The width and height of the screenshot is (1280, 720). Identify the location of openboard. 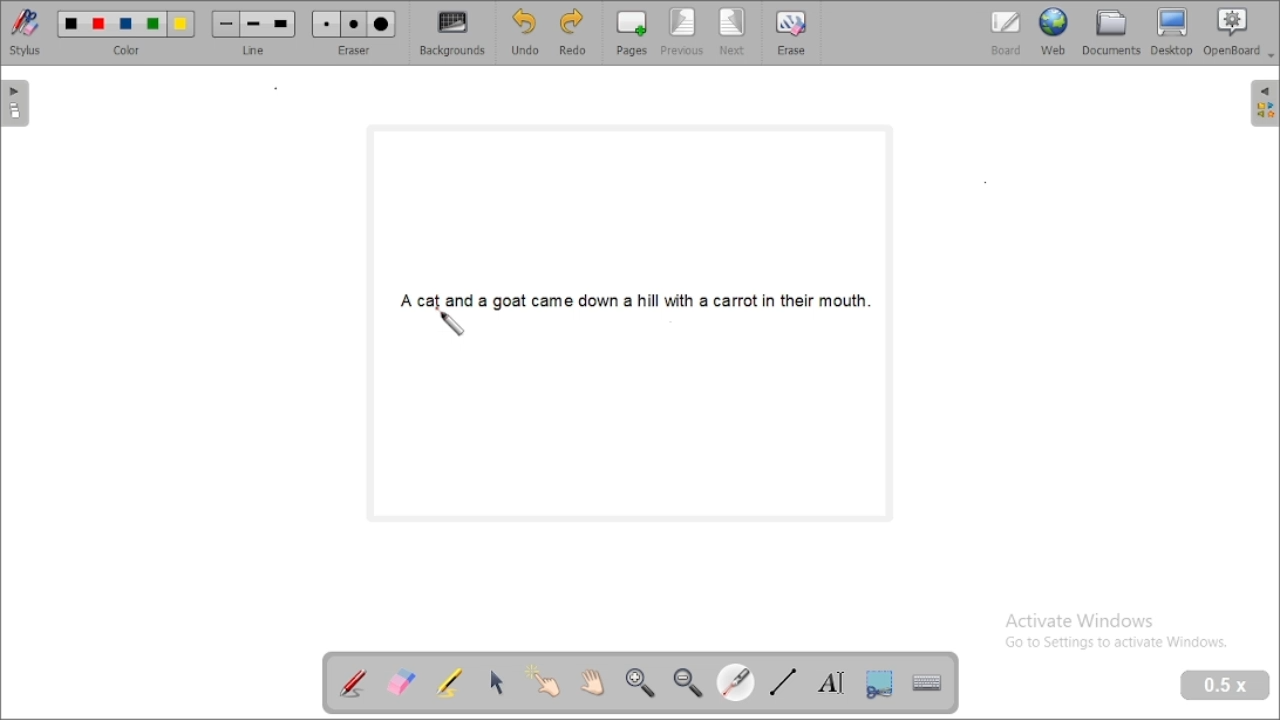
(1232, 32).